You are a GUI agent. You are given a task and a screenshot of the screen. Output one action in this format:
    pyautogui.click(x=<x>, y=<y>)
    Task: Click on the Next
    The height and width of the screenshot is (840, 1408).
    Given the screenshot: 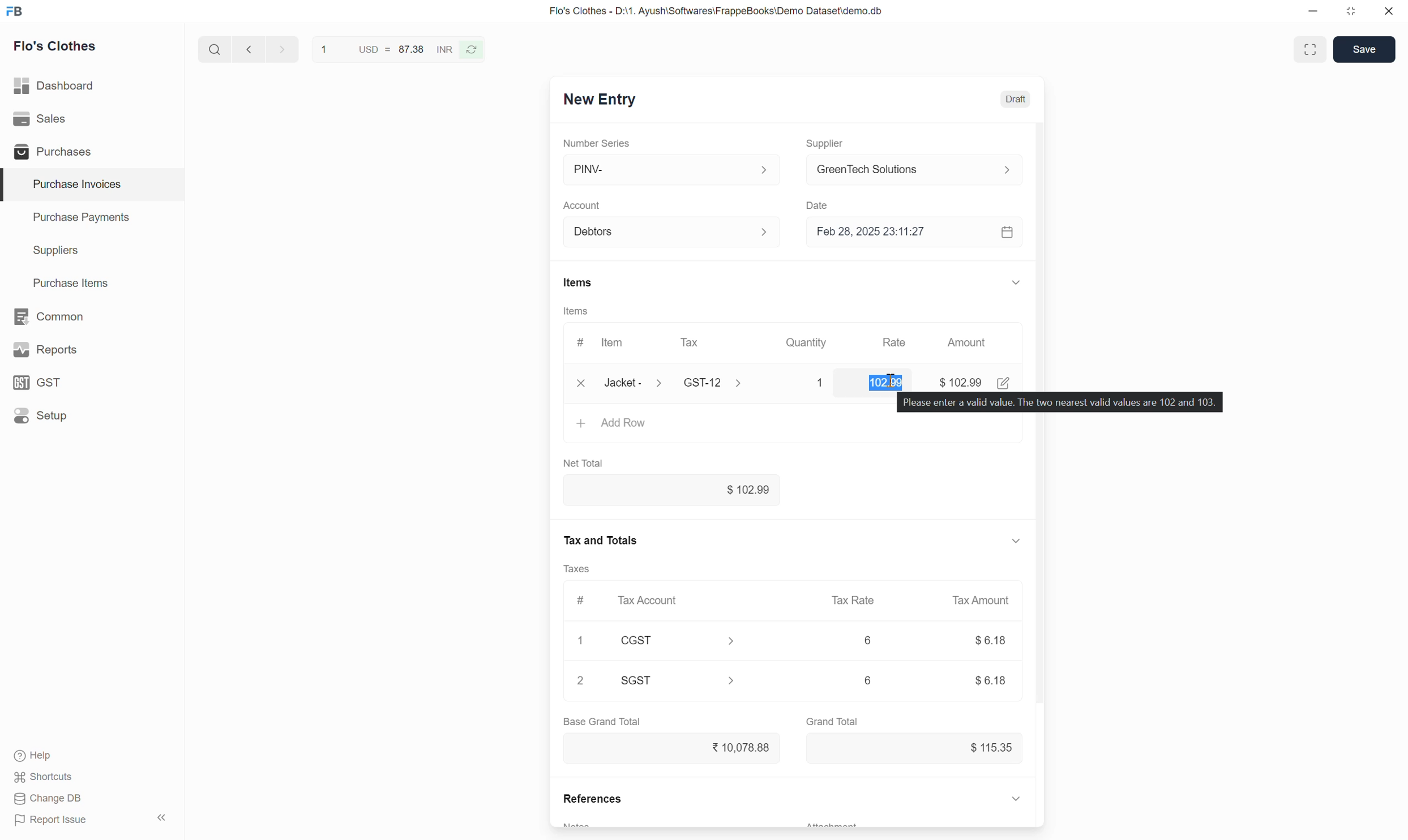 What is the action you would take?
    pyautogui.click(x=283, y=49)
    